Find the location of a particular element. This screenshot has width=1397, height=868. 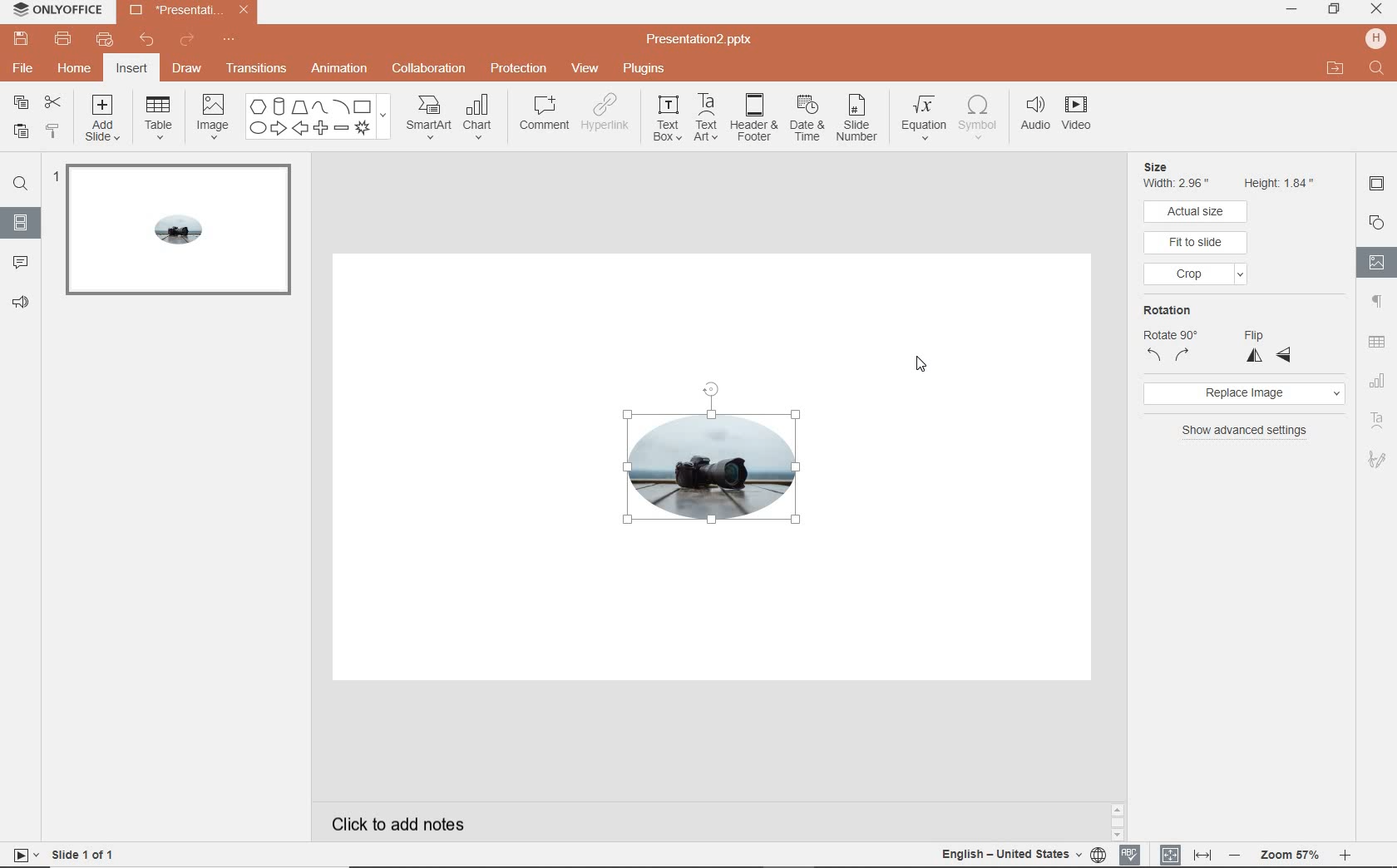

signature is located at coordinates (1377, 460).